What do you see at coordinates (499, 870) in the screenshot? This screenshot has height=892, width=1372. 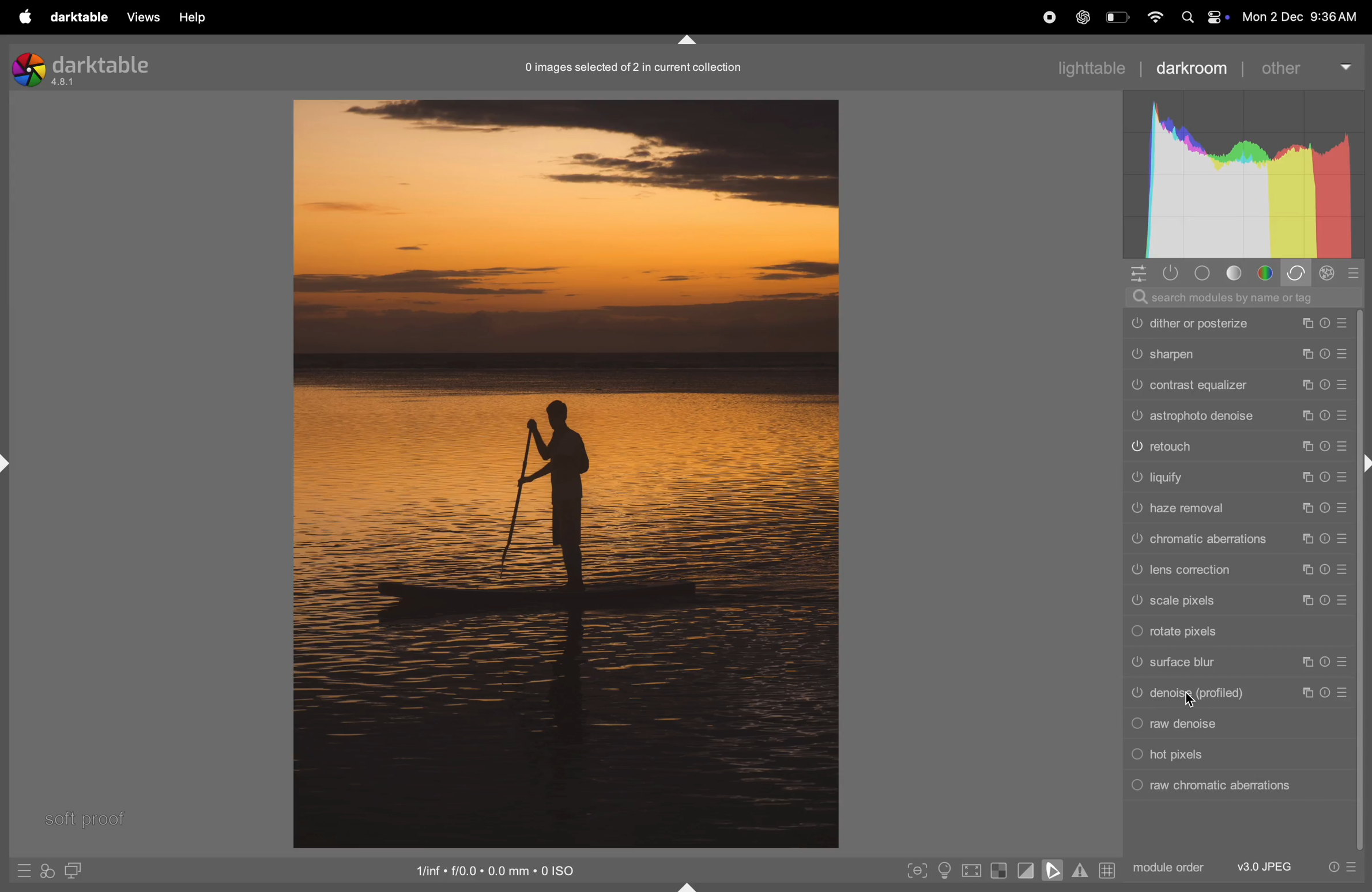 I see `iso` at bounding box center [499, 870].